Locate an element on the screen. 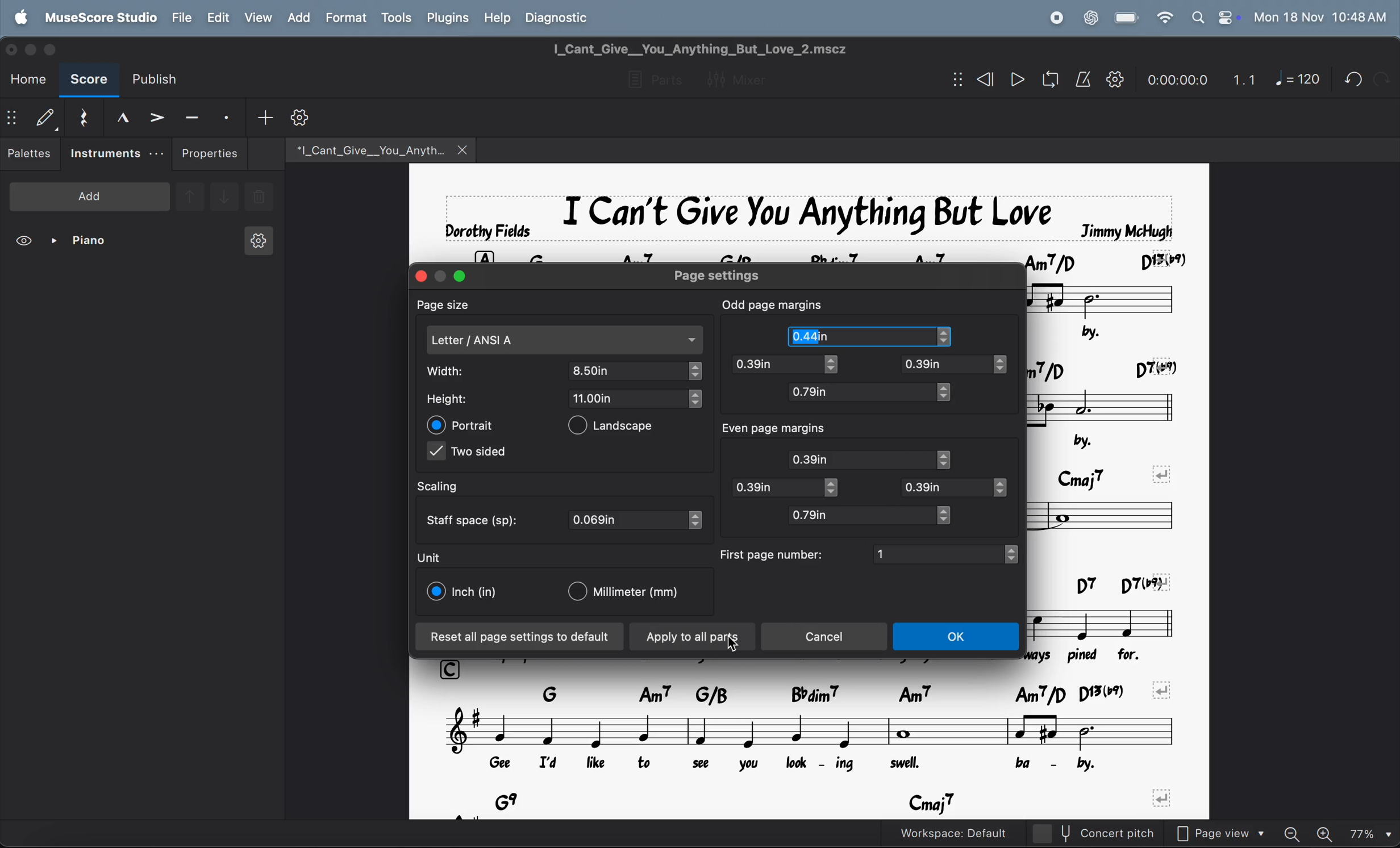  view is located at coordinates (257, 17).